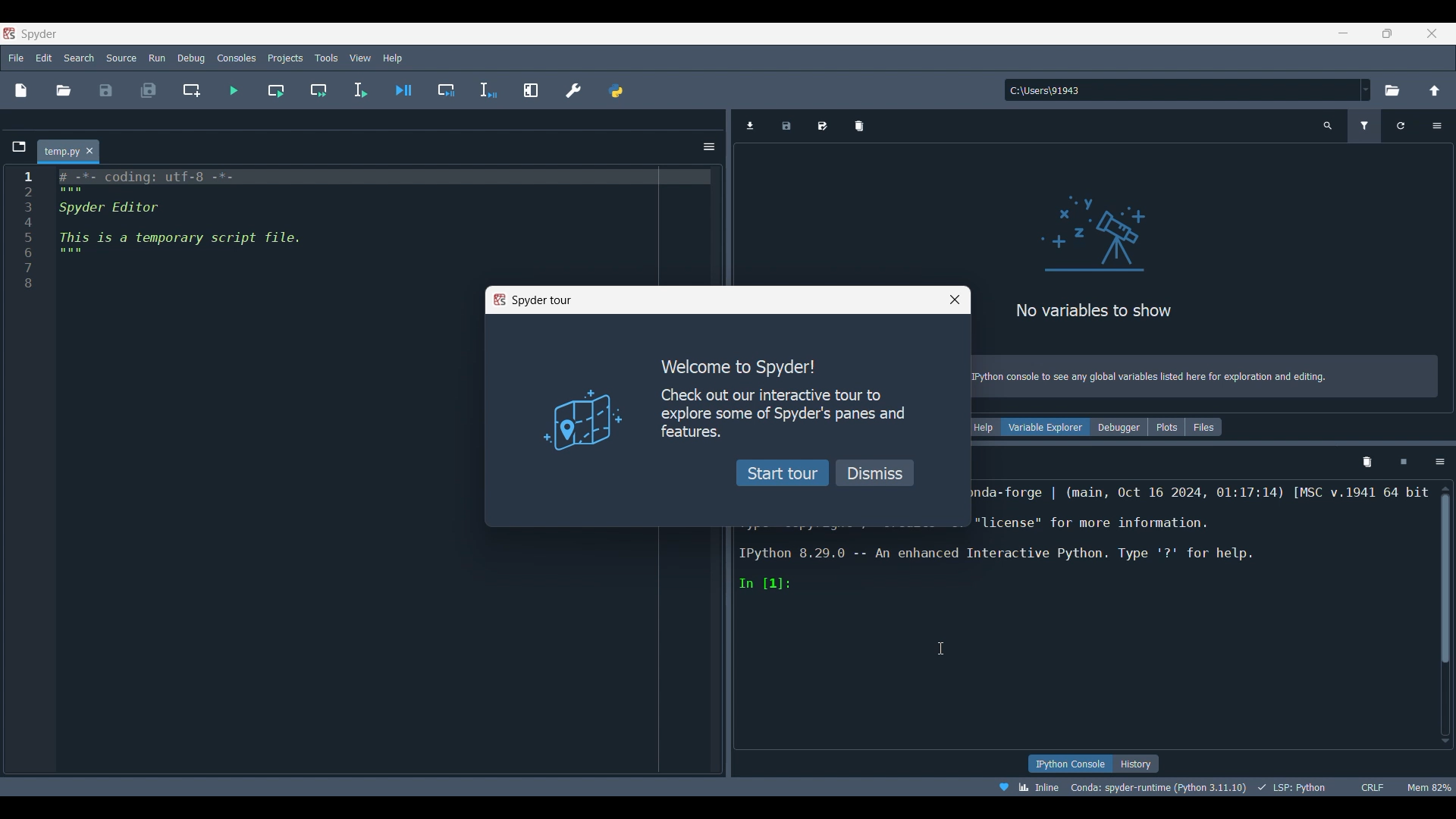 This screenshot has height=819, width=1456. What do you see at coordinates (157, 58) in the screenshot?
I see `Run menu` at bounding box center [157, 58].